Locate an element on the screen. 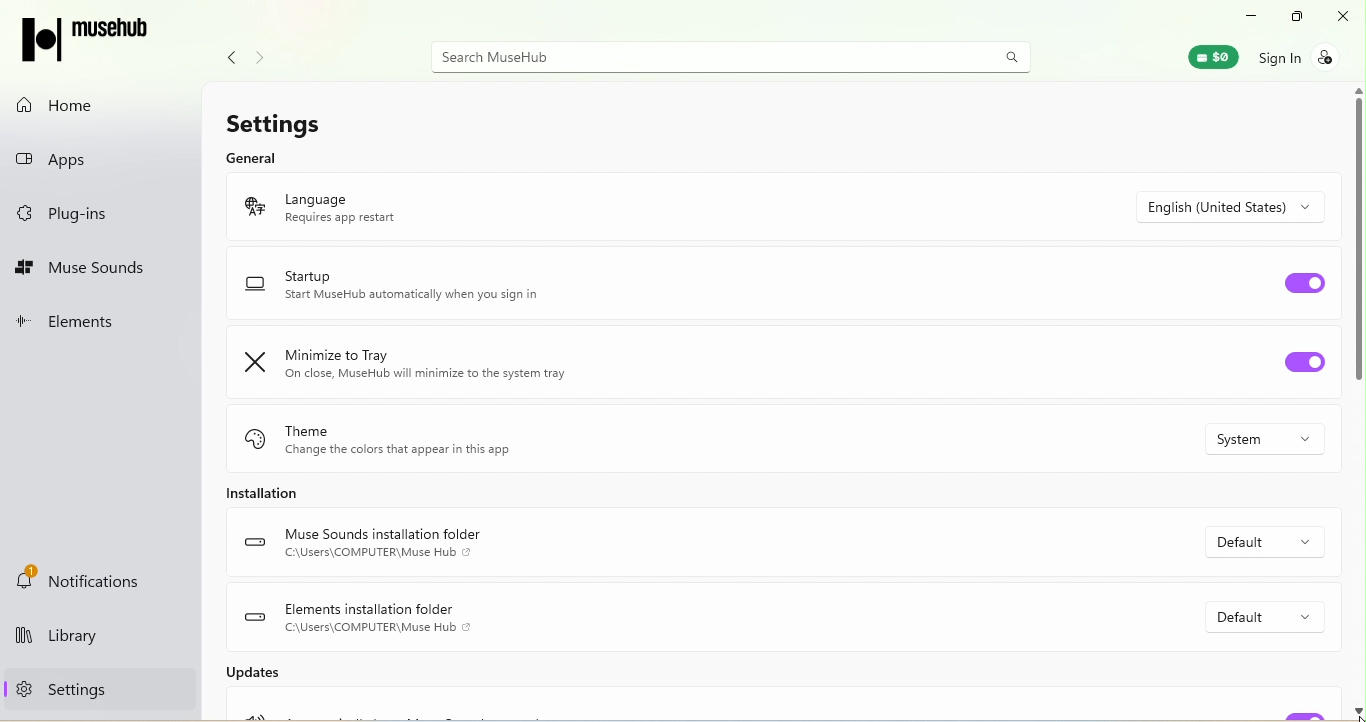 The image size is (1366, 722). Icon is located at coordinates (255, 285).